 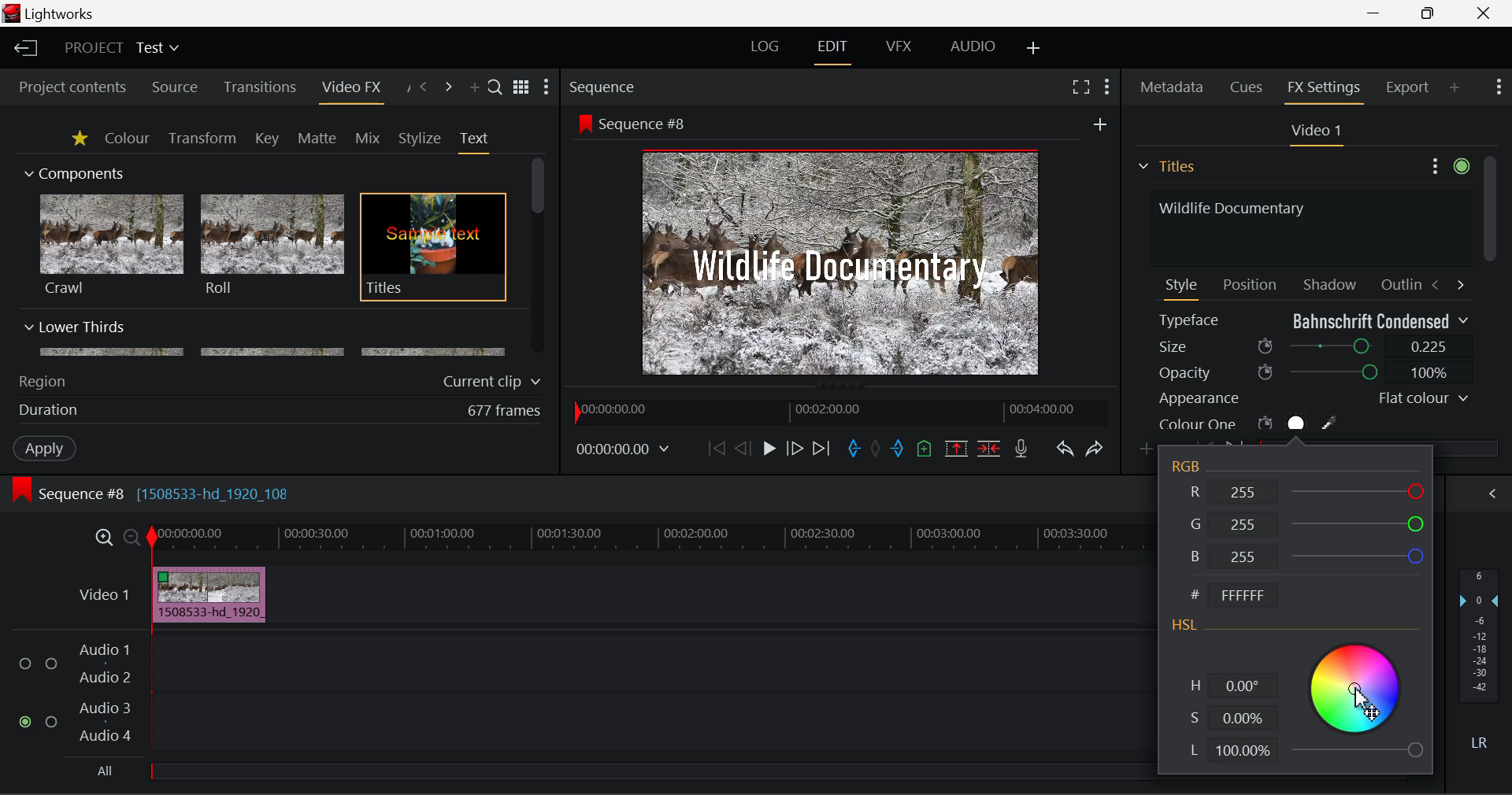 I want to click on Style Tab Open, so click(x=1183, y=288).